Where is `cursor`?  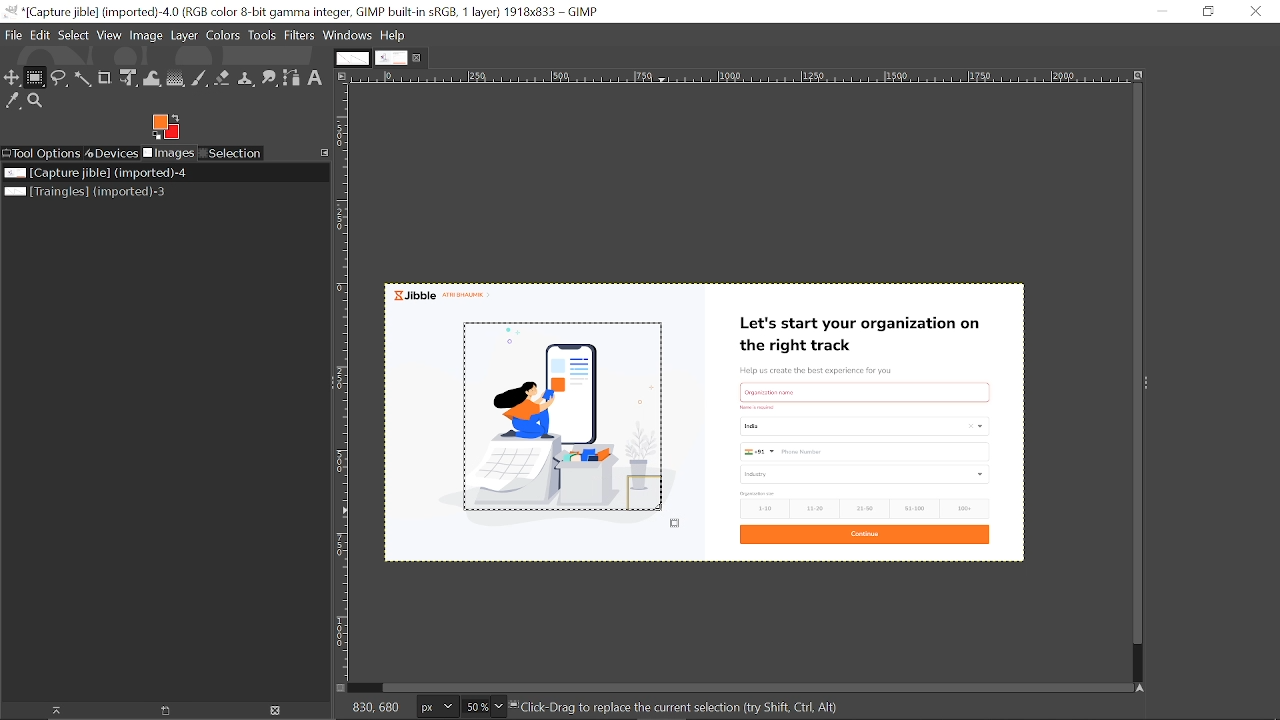 cursor is located at coordinates (665, 518).